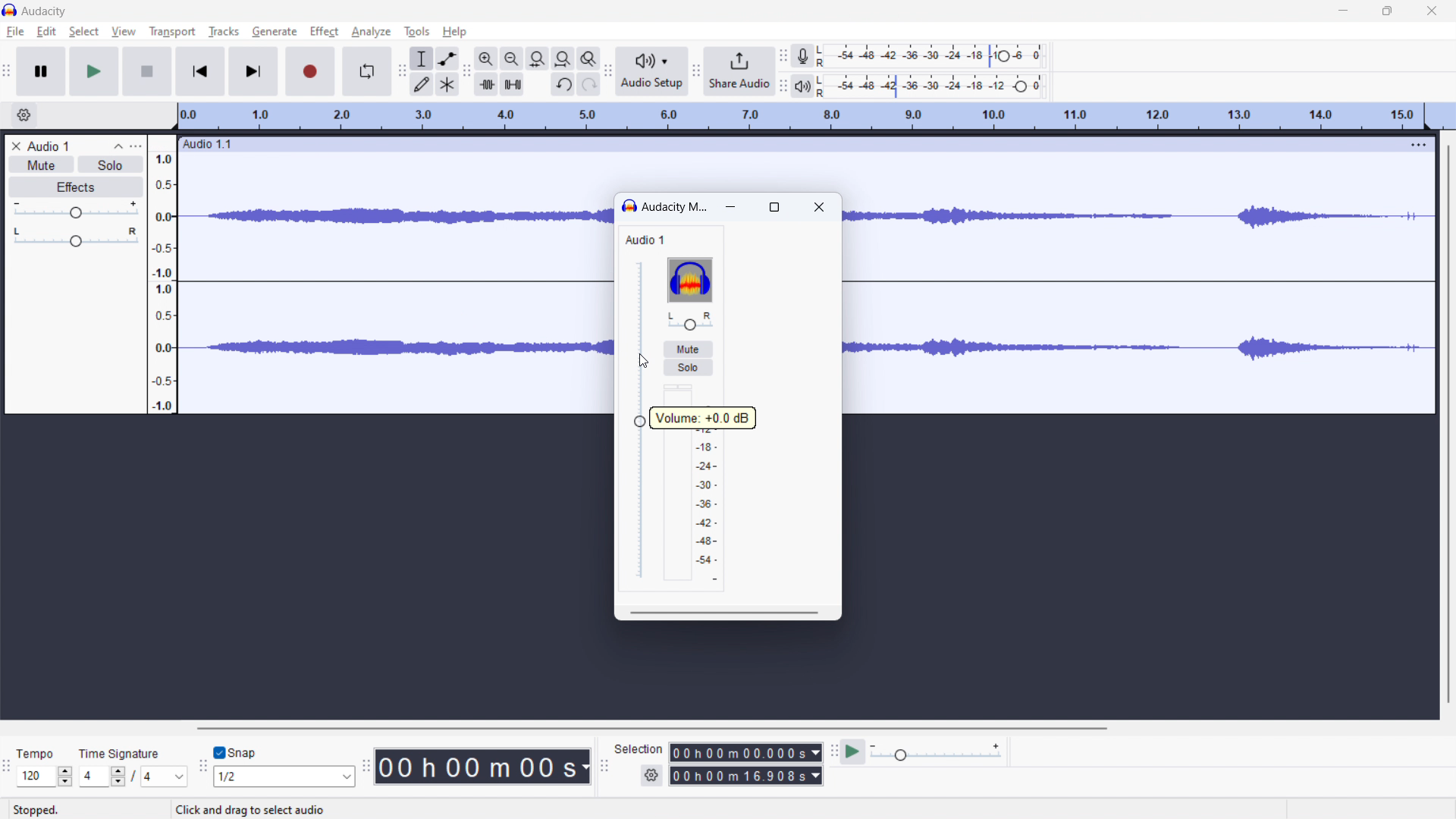 This screenshot has width=1456, height=819. What do you see at coordinates (1417, 144) in the screenshot?
I see `menu` at bounding box center [1417, 144].